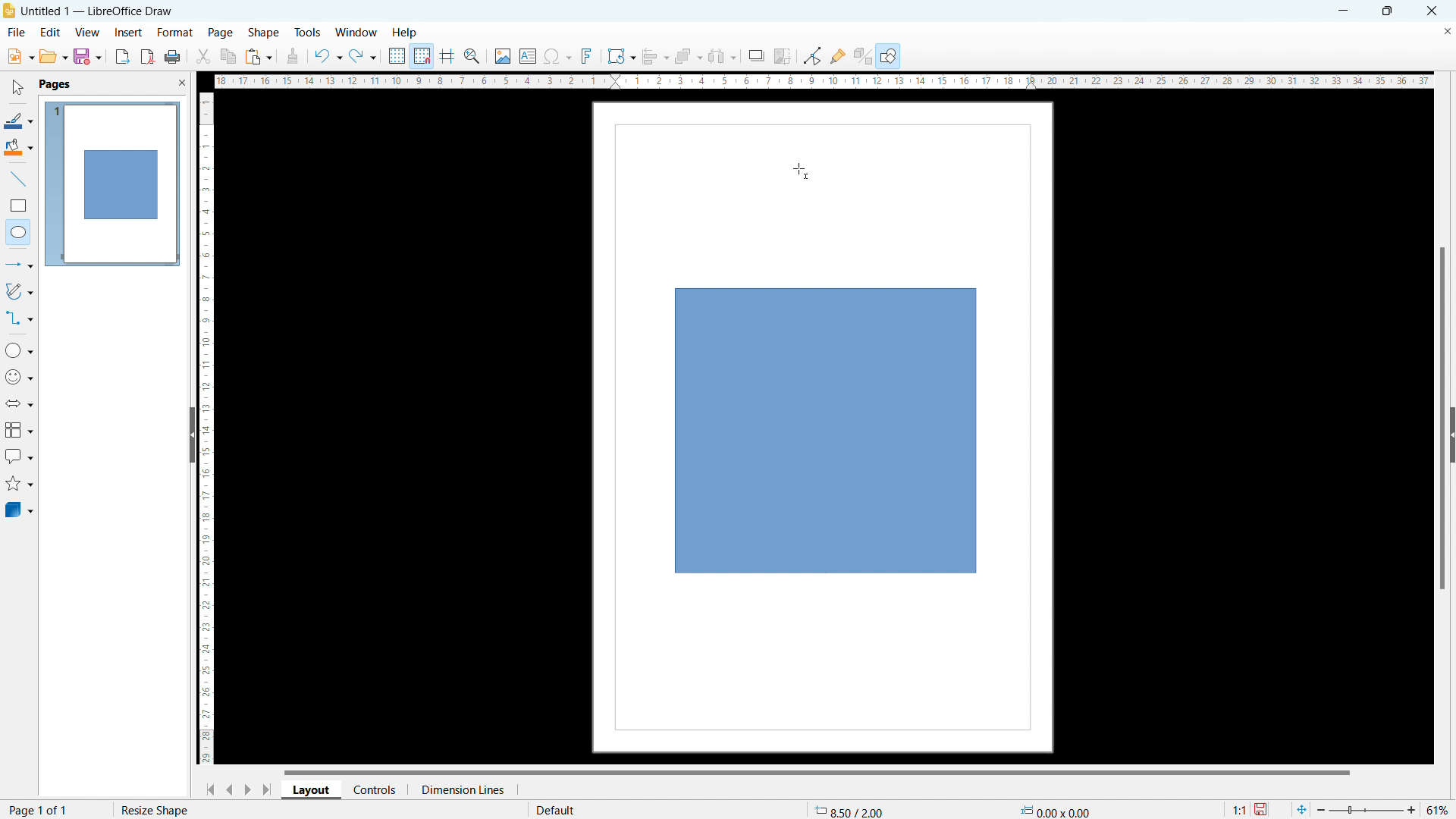 The width and height of the screenshot is (1456, 819). Describe the element at coordinates (814, 55) in the screenshot. I see `toggle point edit mode` at that location.